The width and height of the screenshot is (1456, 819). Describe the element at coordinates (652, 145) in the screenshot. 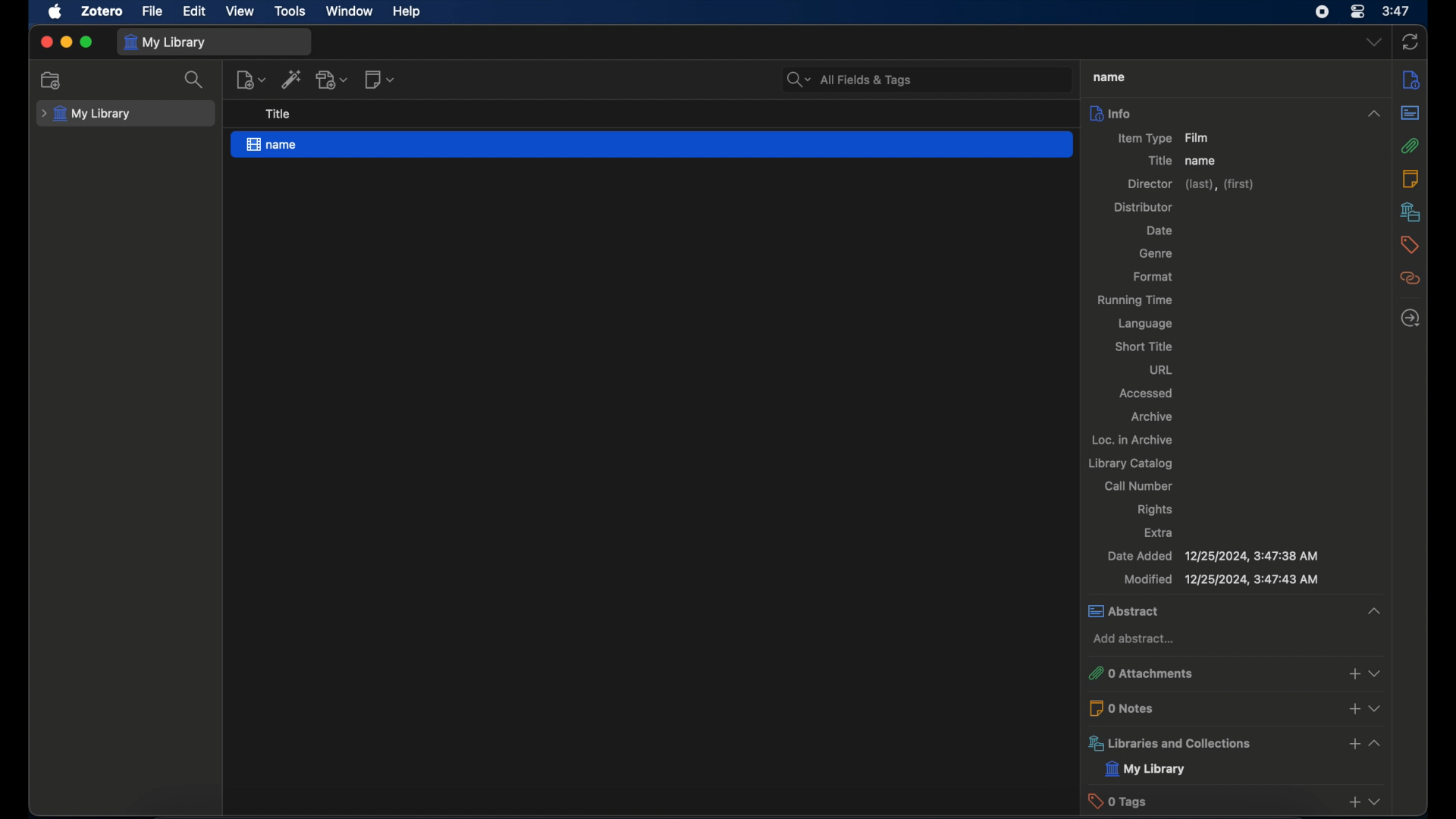

I see `name` at that location.